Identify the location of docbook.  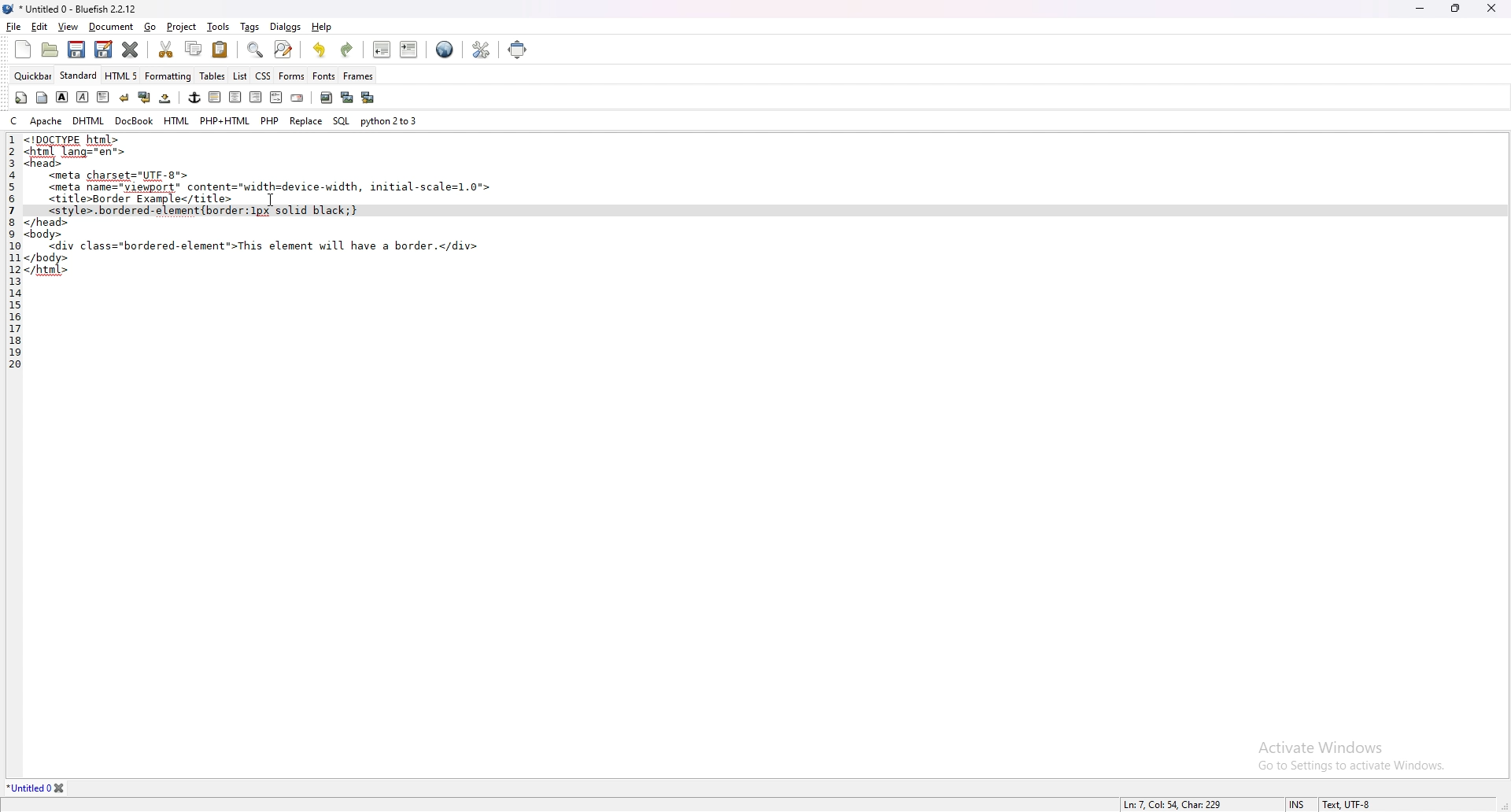
(134, 120).